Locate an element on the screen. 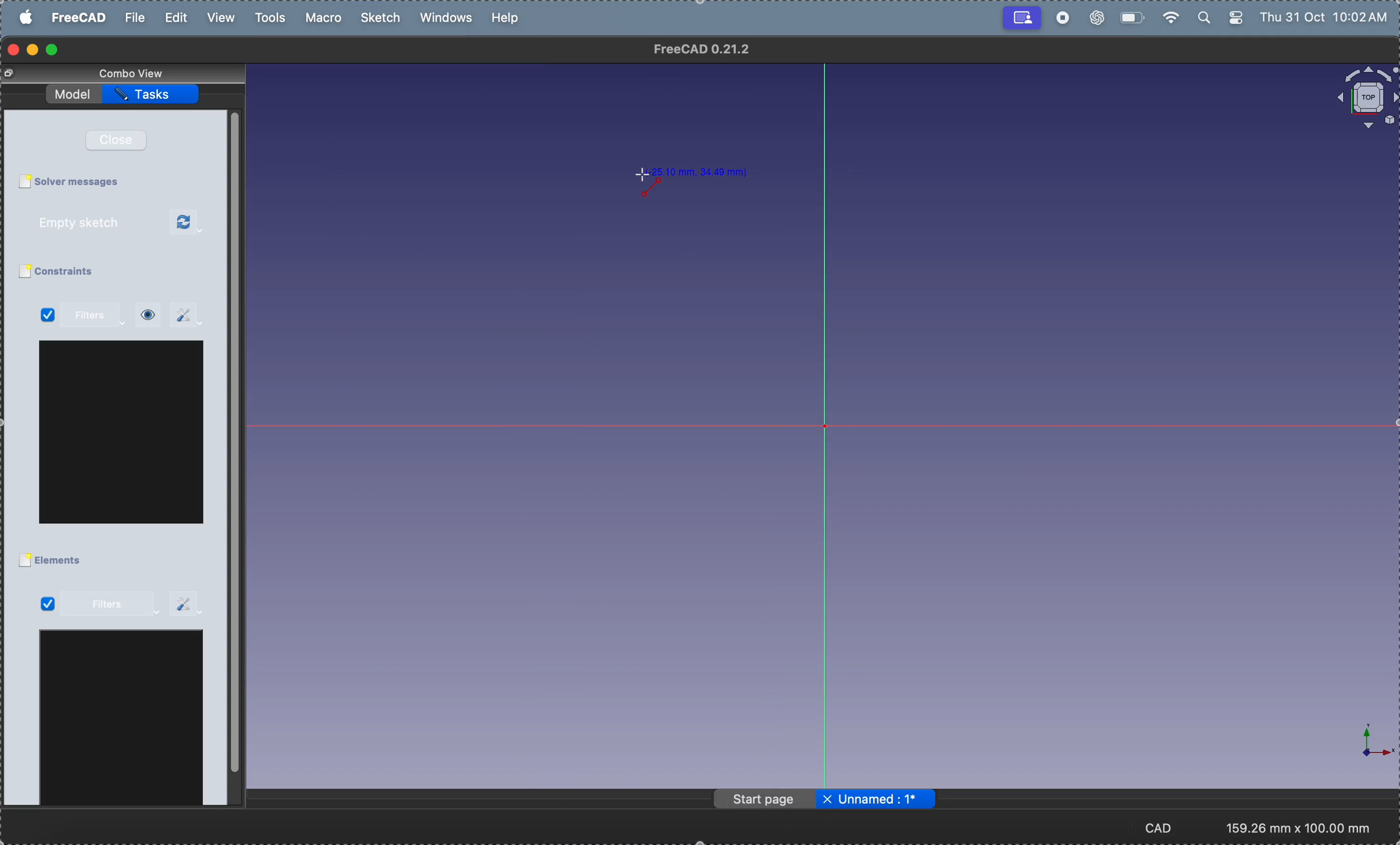 The image size is (1400, 845). task is located at coordinates (153, 94).